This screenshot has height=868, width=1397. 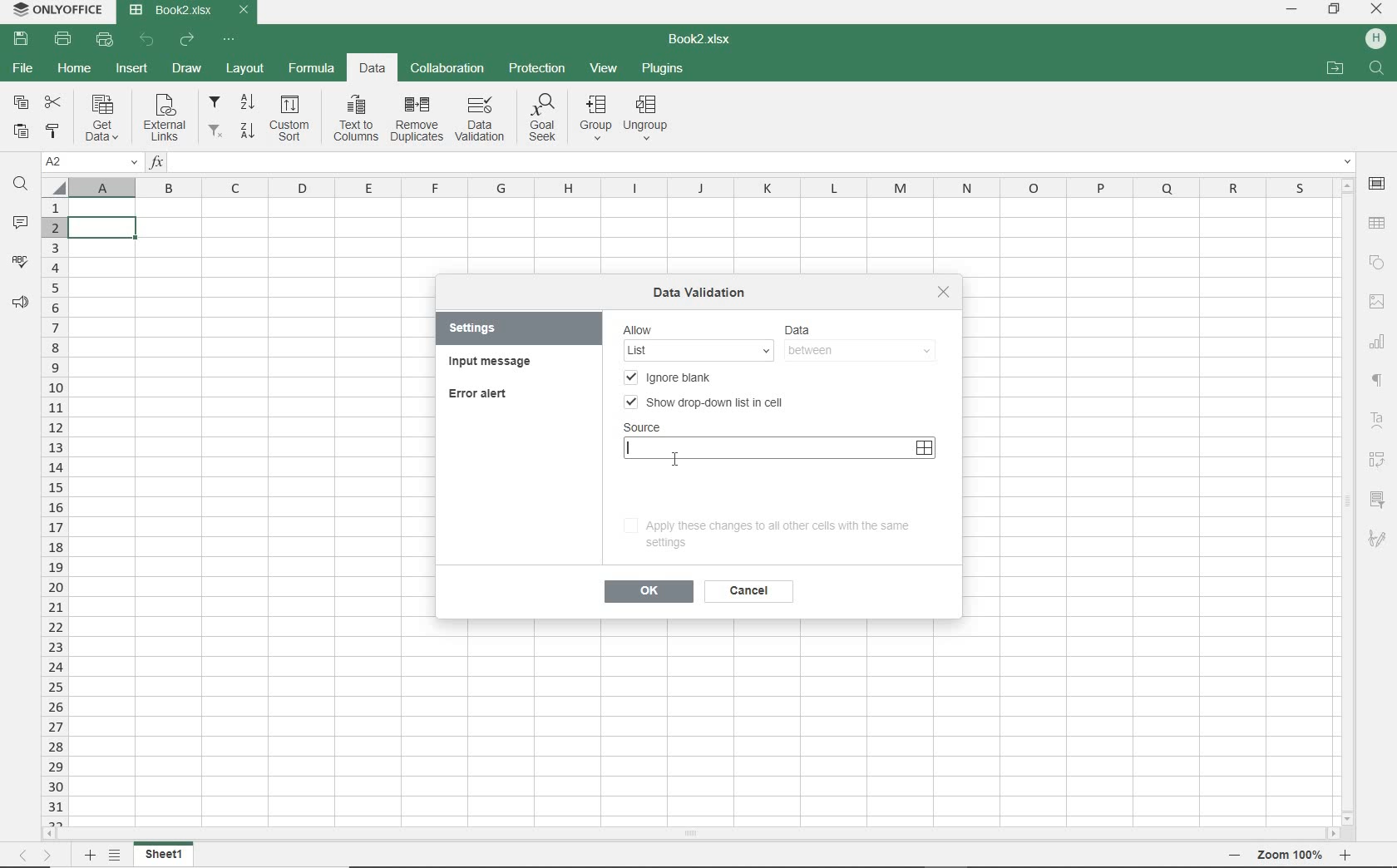 I want to click on data validation, so click(x=703, y=290).